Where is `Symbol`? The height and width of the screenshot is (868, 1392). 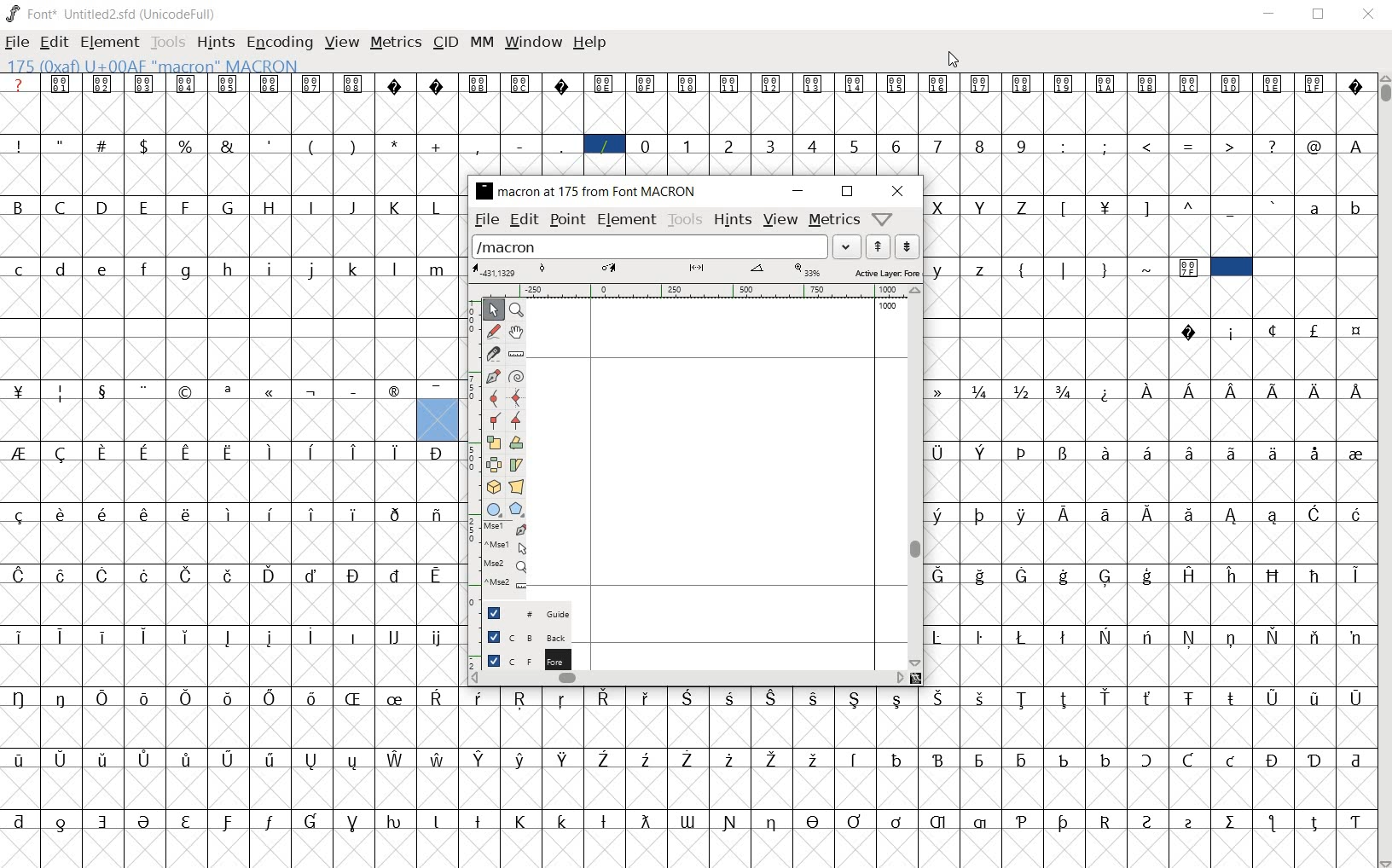
Symbol is located at coordinates (1274, 331).